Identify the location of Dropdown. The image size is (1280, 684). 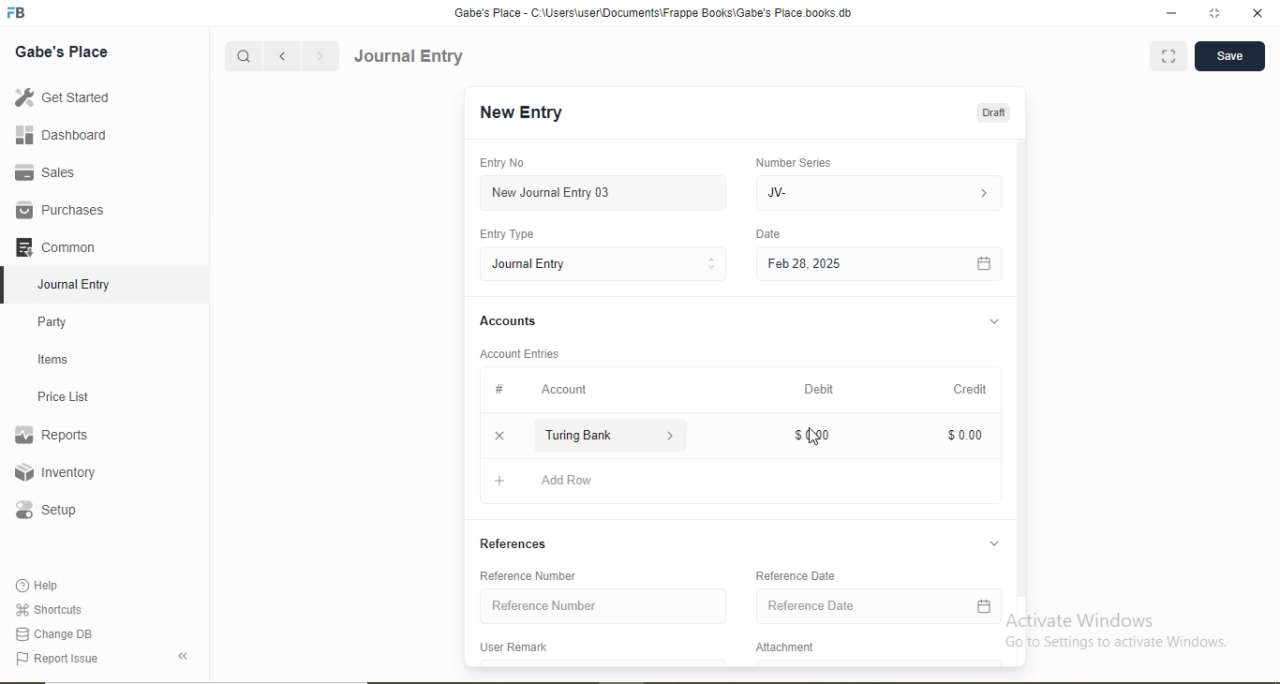
(672, 436).